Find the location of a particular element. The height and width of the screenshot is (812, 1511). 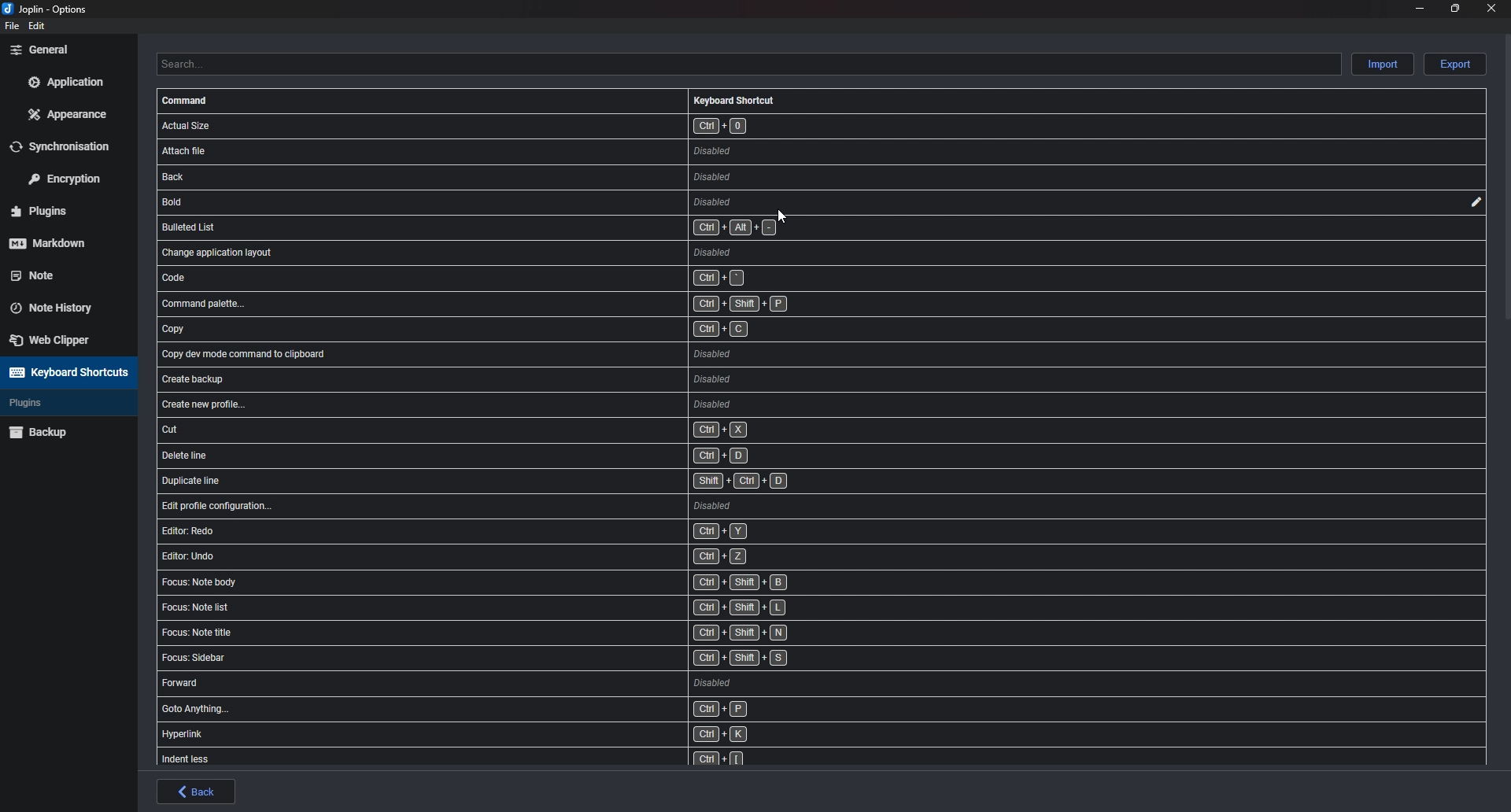

shortcut is located at coordinates (487, 202).